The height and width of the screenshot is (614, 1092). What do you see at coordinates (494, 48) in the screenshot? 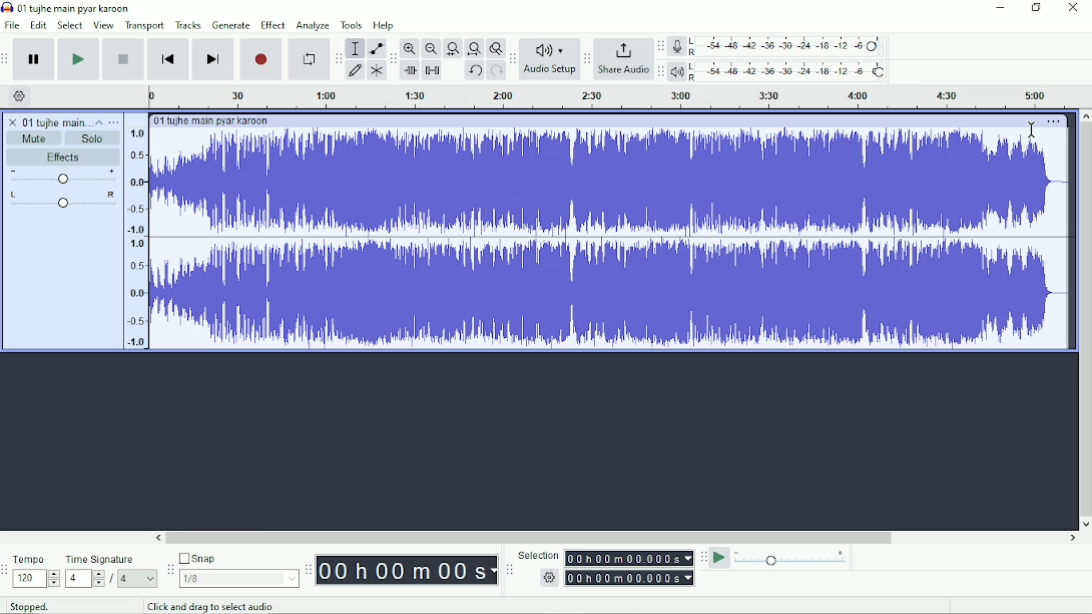
I see `Zoom toggle` at bounding box center [494, 48].